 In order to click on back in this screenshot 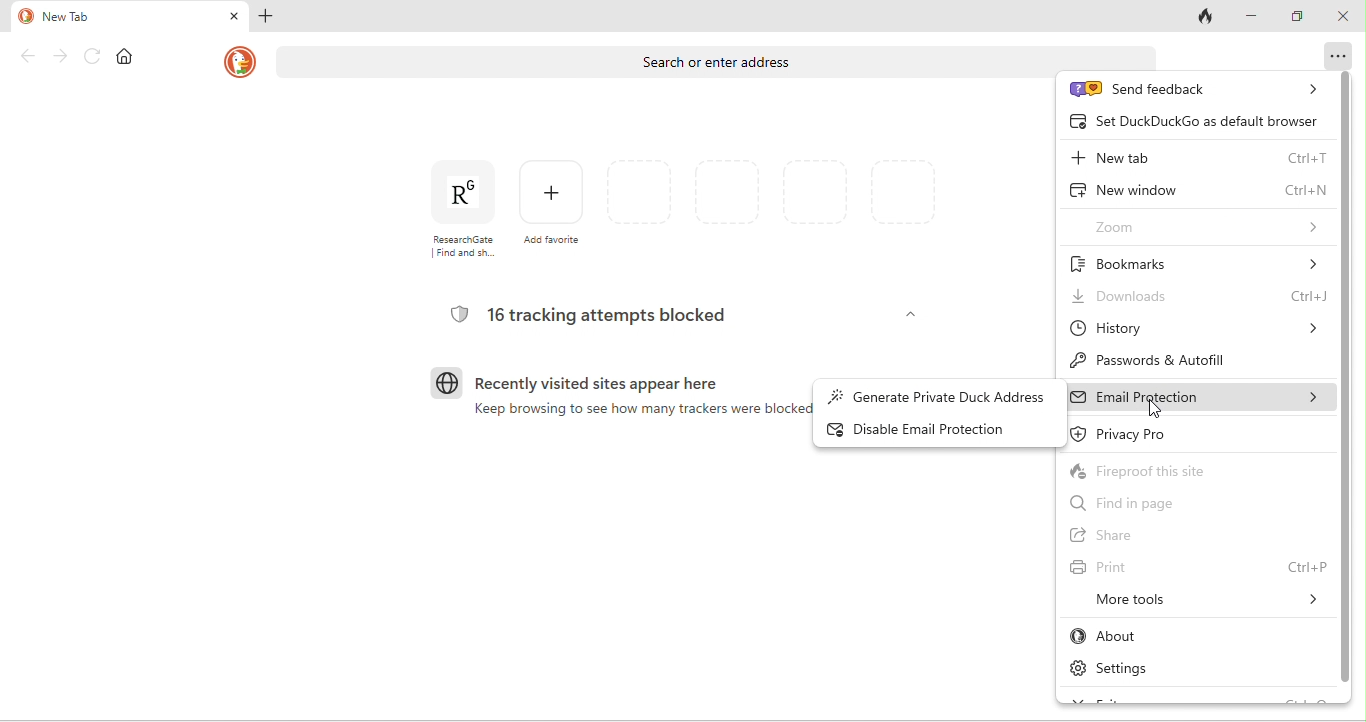, I will do `click(26, 56)`.